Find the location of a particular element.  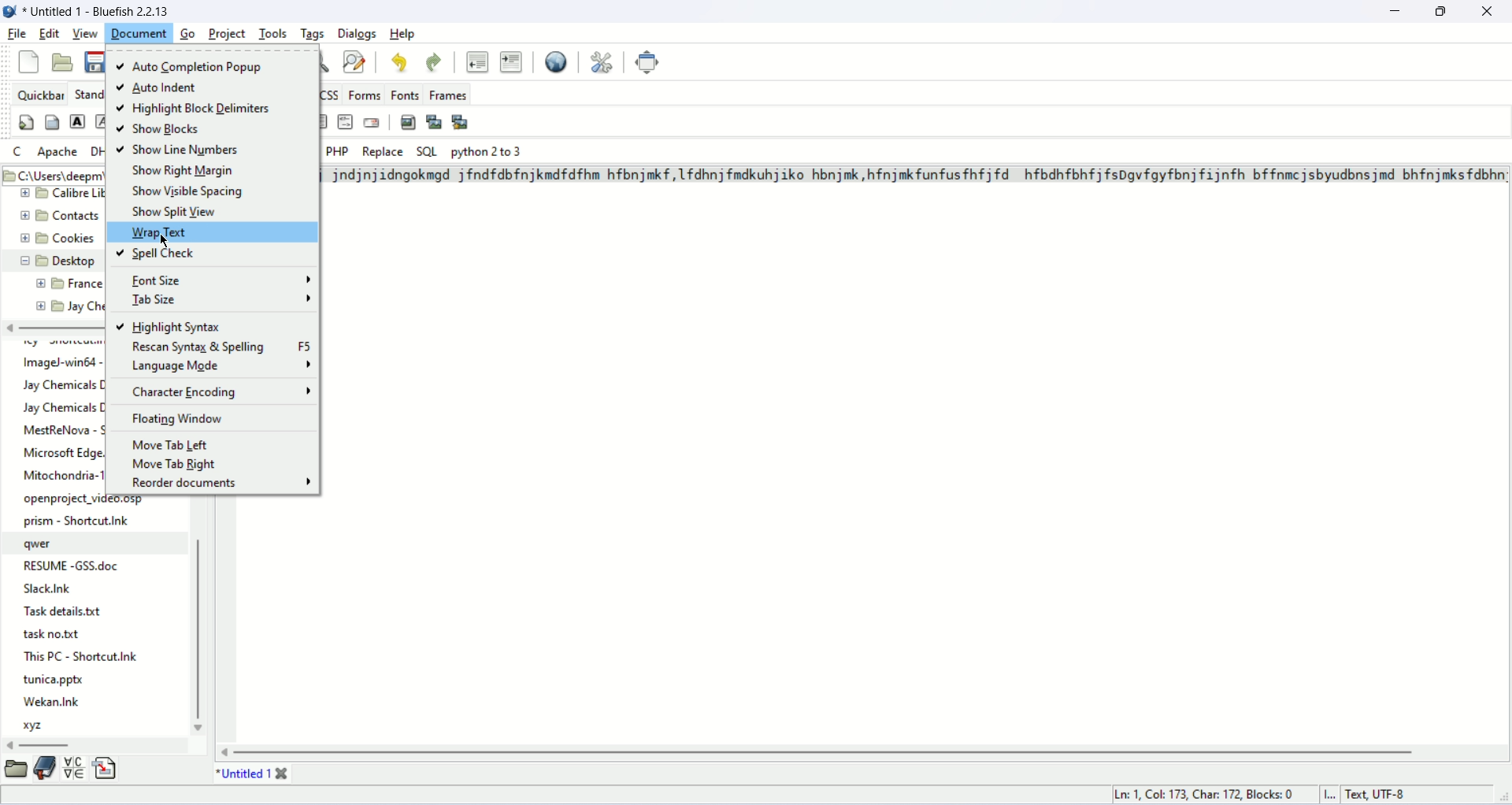

dialogs is located at coordinates (357, 33).